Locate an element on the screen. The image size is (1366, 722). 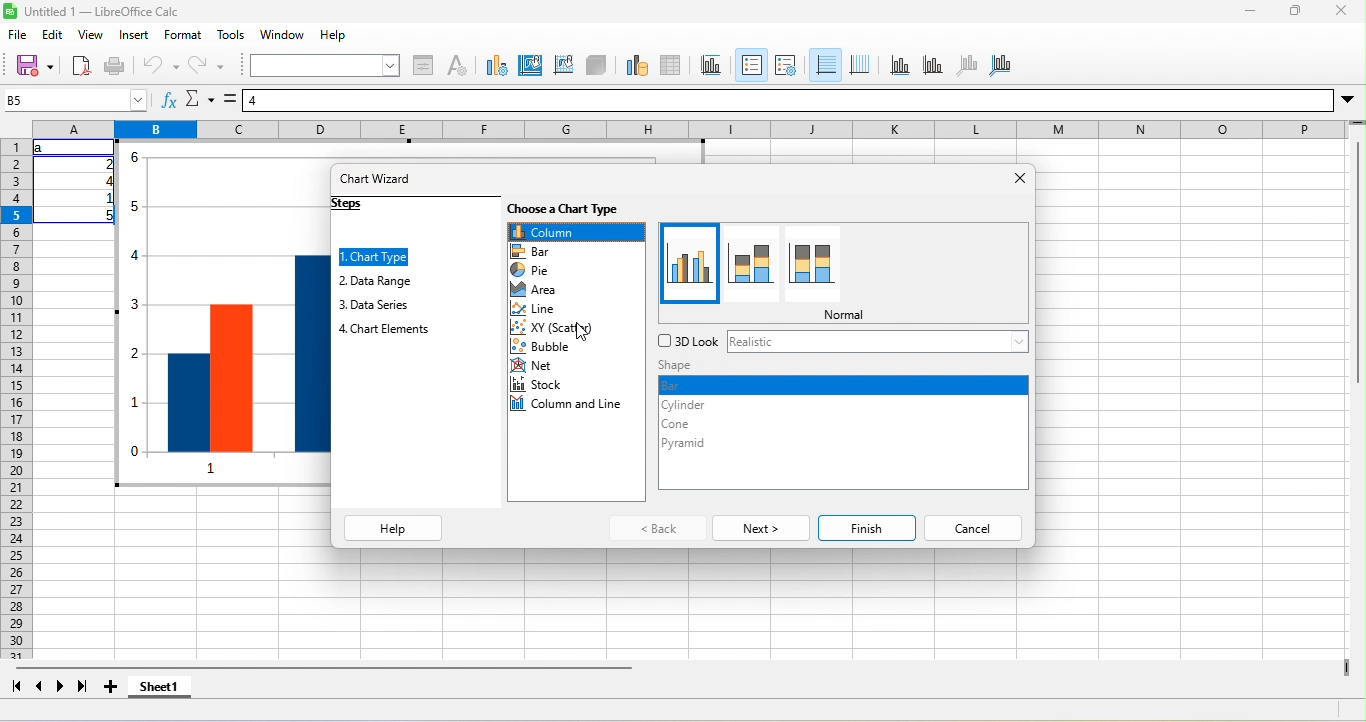
chart wall is located at coordinates (564, 67).